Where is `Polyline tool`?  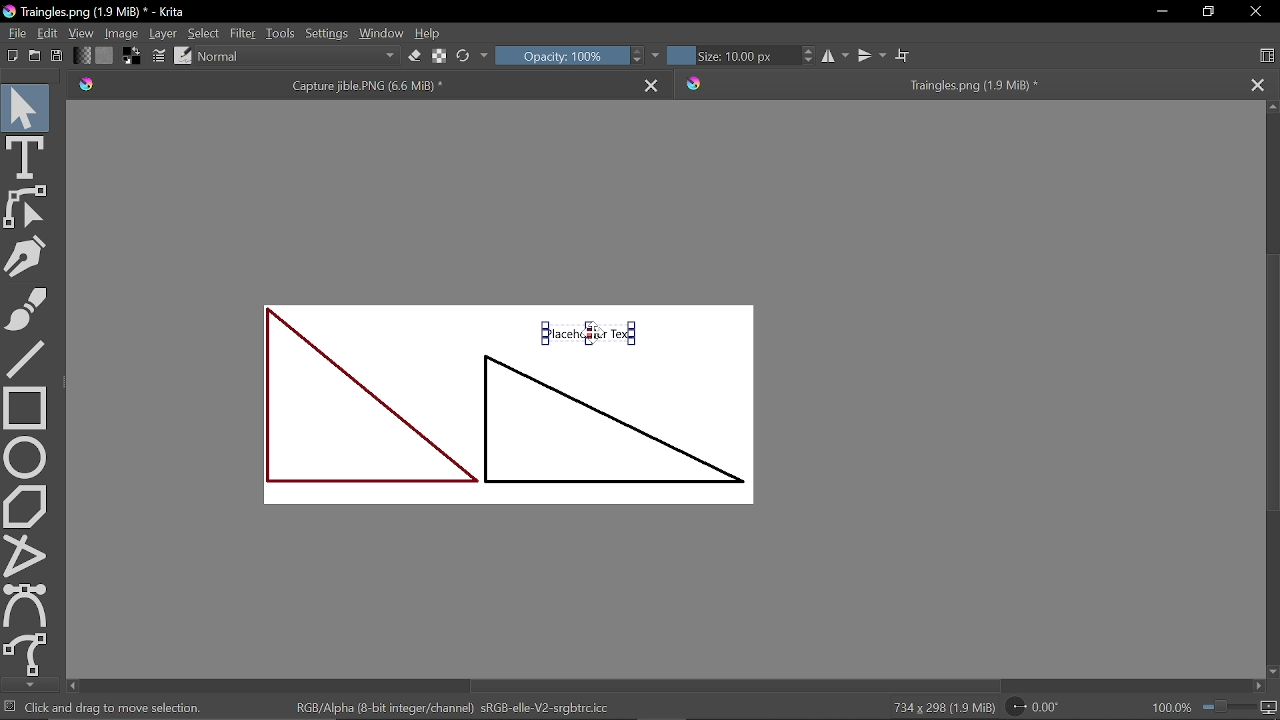
Polyline tool is located at coordinates (22, 555).